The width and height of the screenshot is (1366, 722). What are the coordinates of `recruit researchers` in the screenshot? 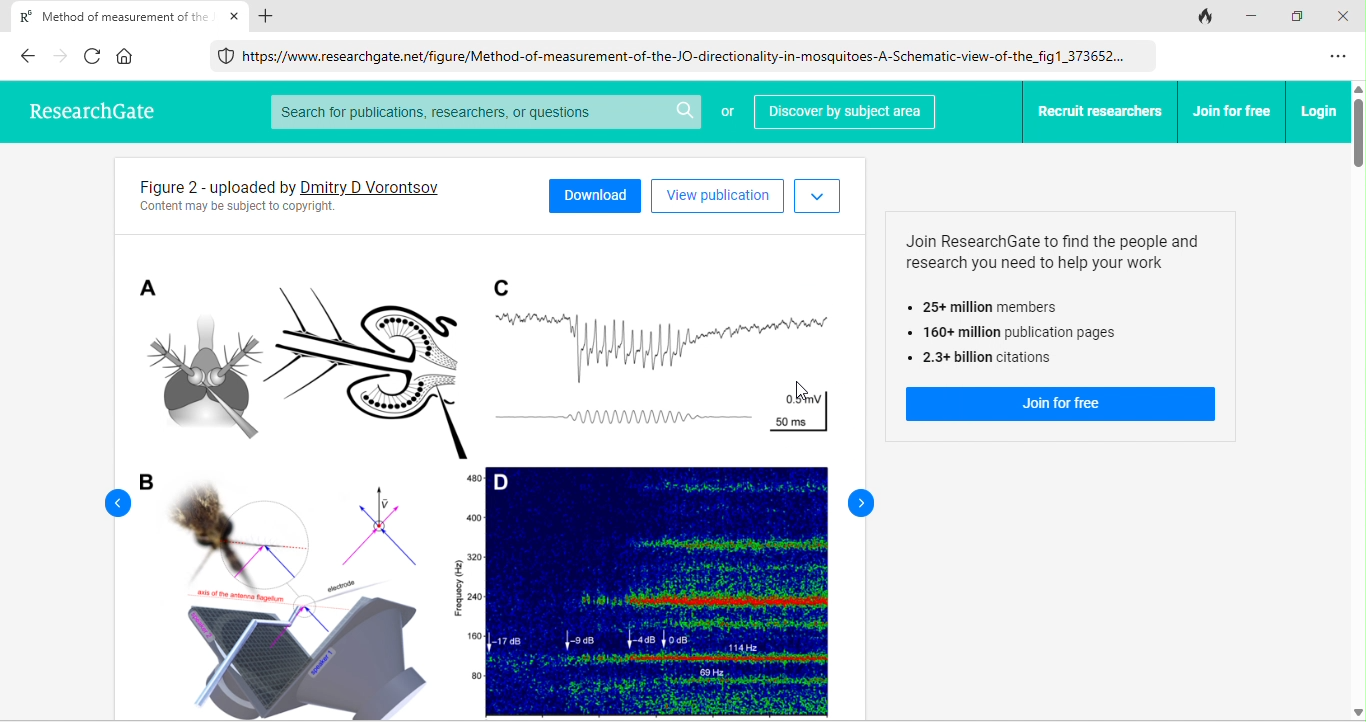 It's located at (1101, 112).